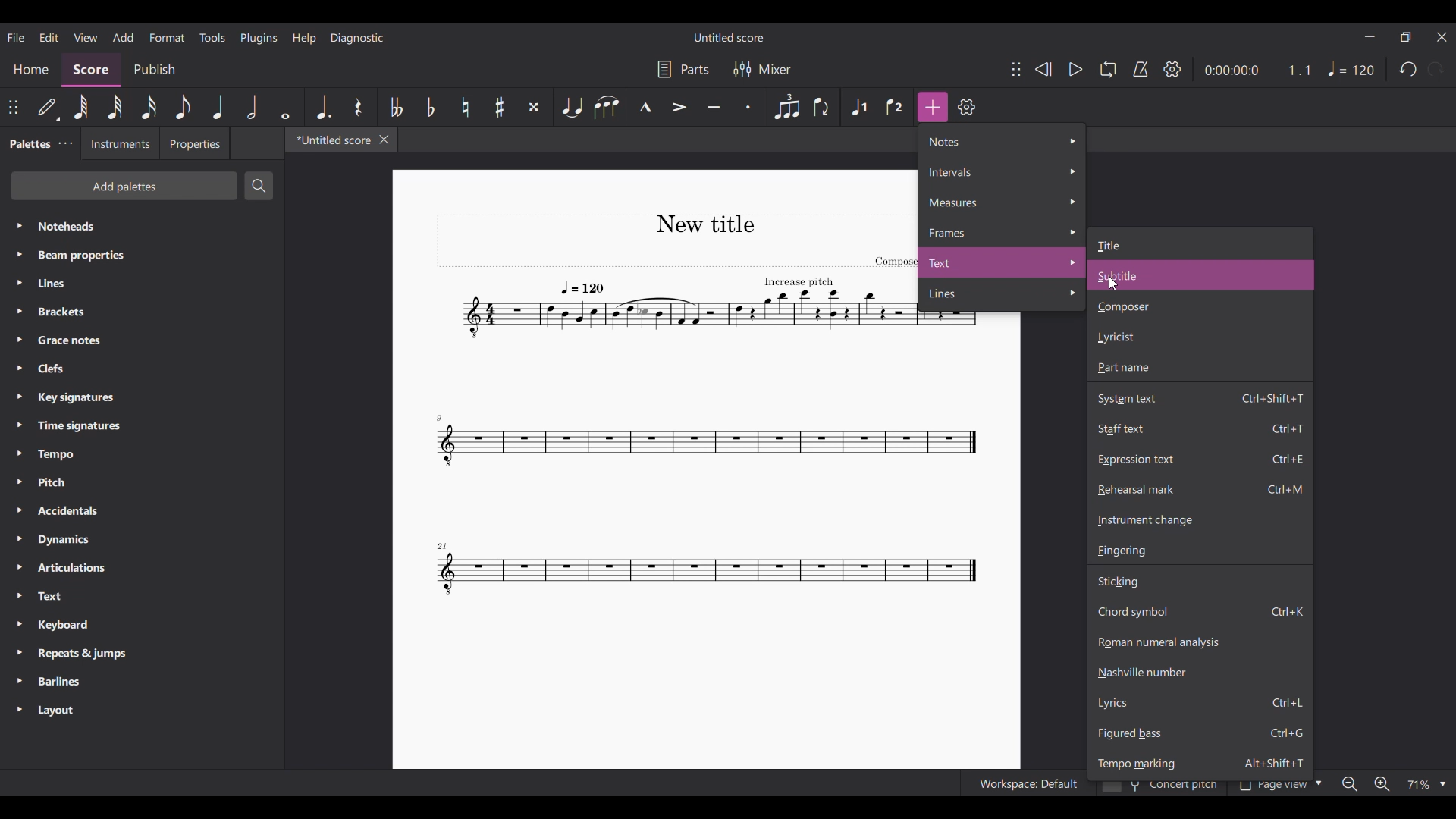 This screenshot has height=819, width=1456. What do you see at coordinates (1108, 69) in the screenshot?
I see `Loop playback` at bounding box center [1108, 69].